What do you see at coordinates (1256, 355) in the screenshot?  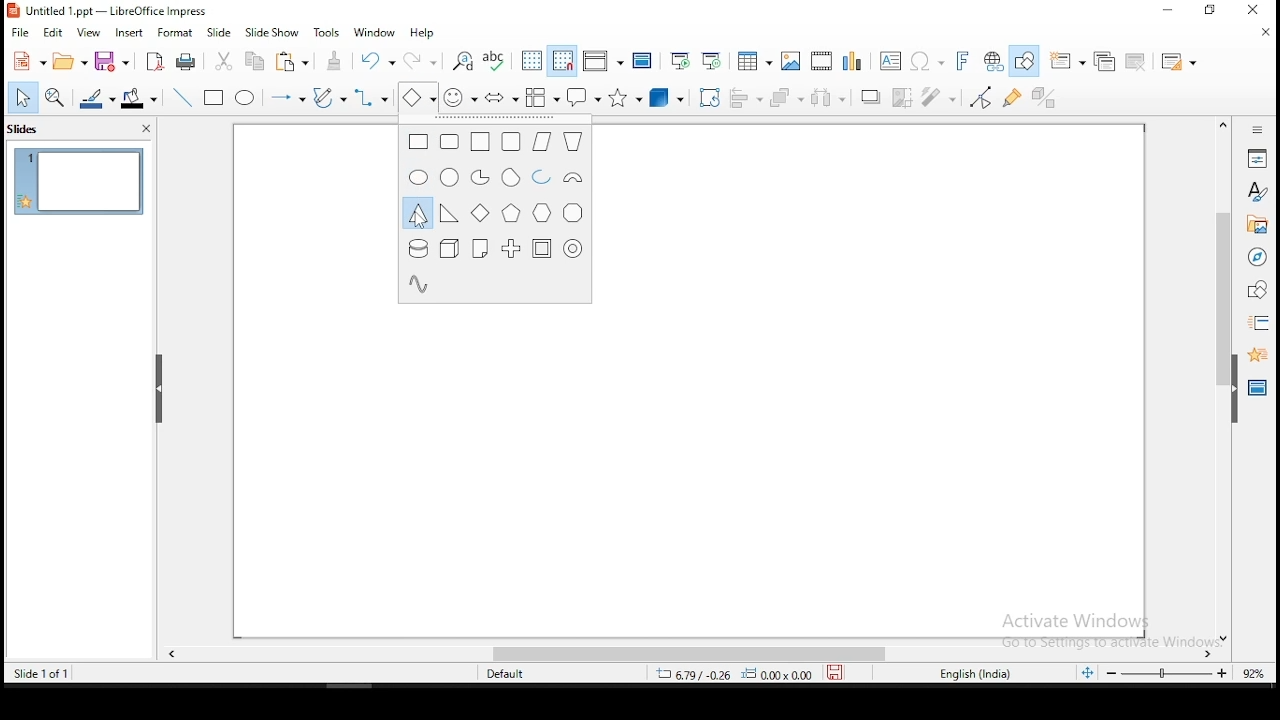 I see `animation` at bounding box center [1256, 355].